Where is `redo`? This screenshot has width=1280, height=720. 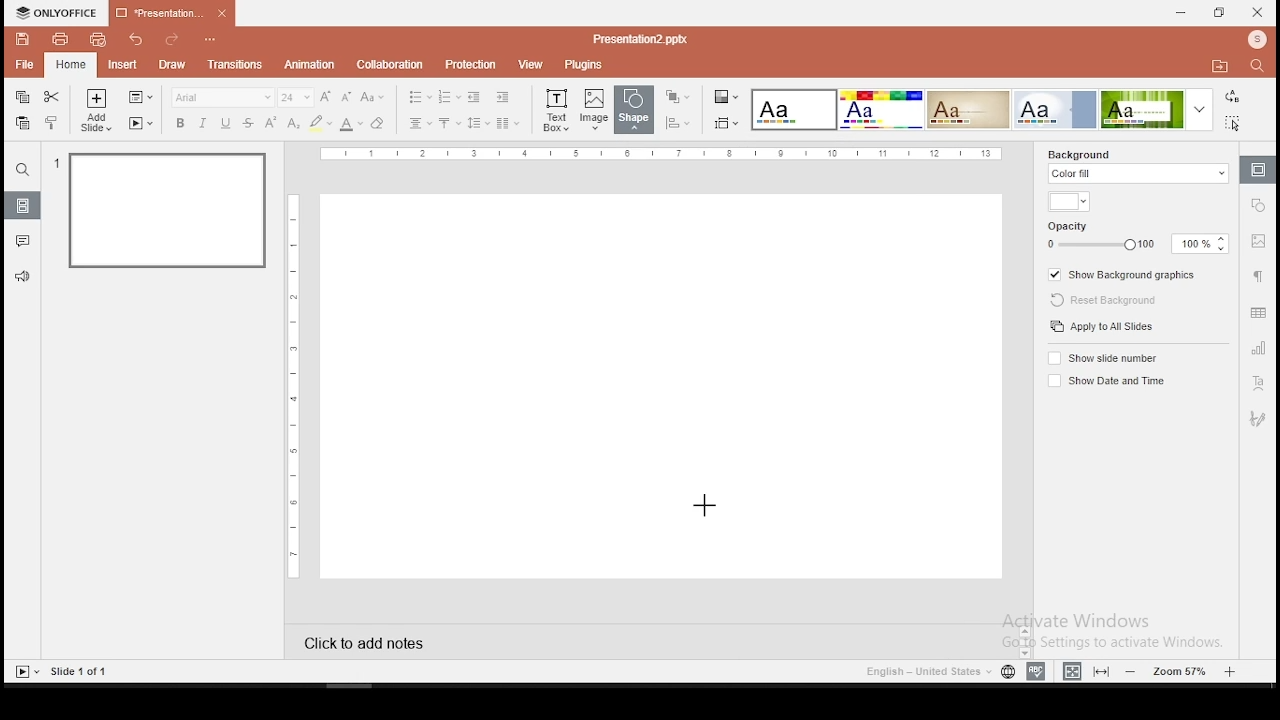 redo is located at coordinates (171, 41).